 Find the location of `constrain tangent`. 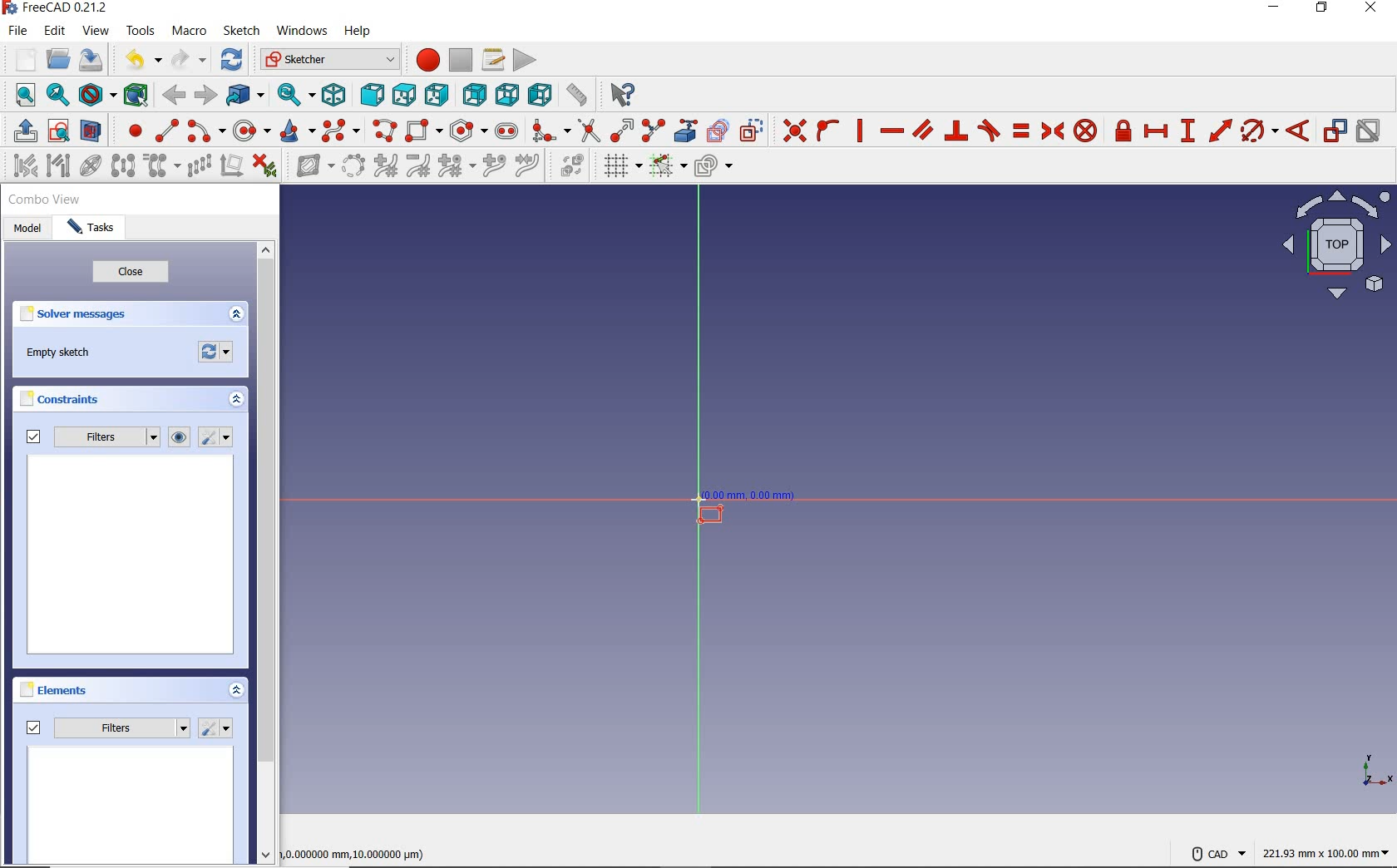

constrain tangent is located at coordinates (989, 131).